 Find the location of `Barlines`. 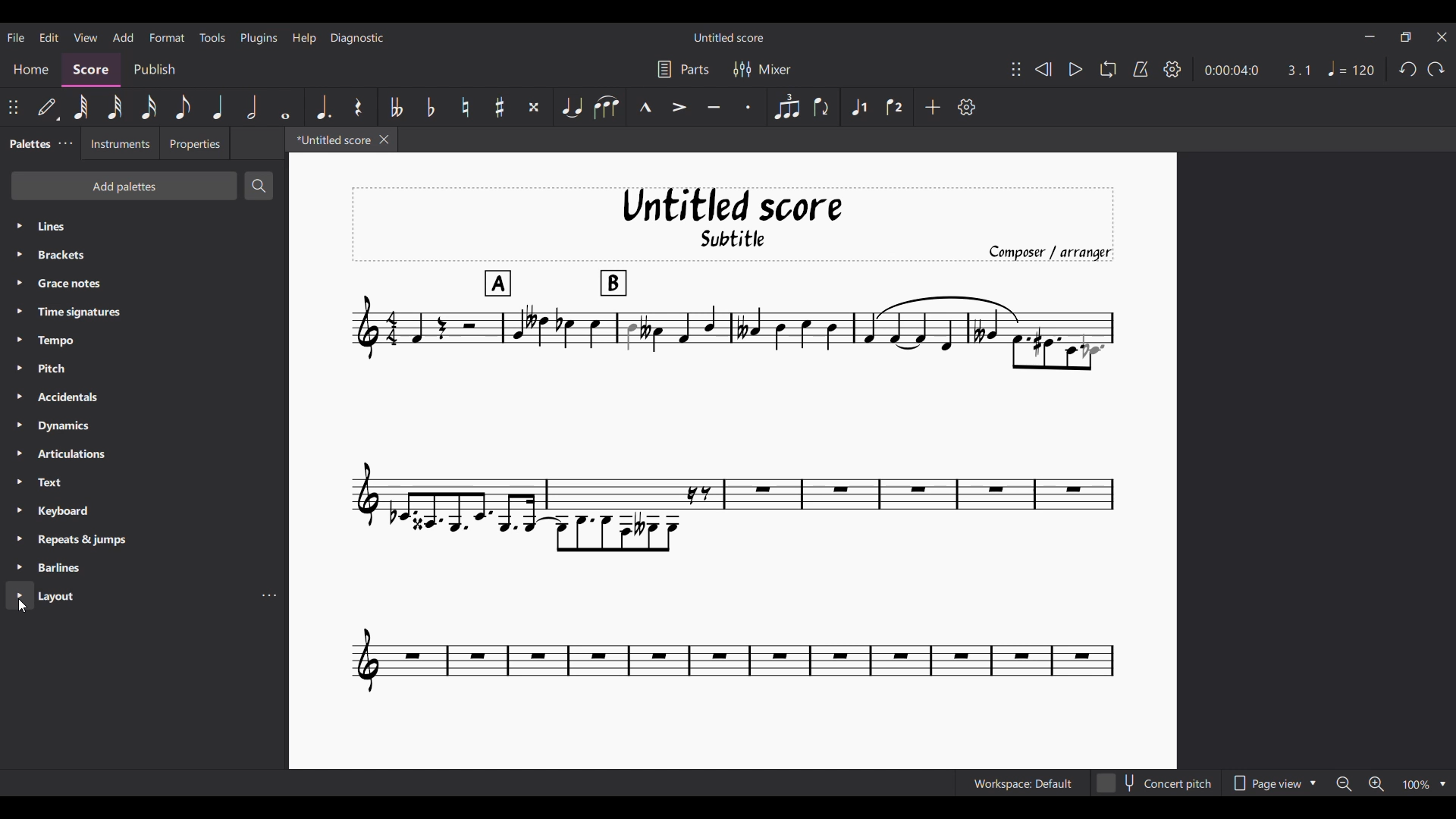

Barlines is located at coordinates (144, 567).